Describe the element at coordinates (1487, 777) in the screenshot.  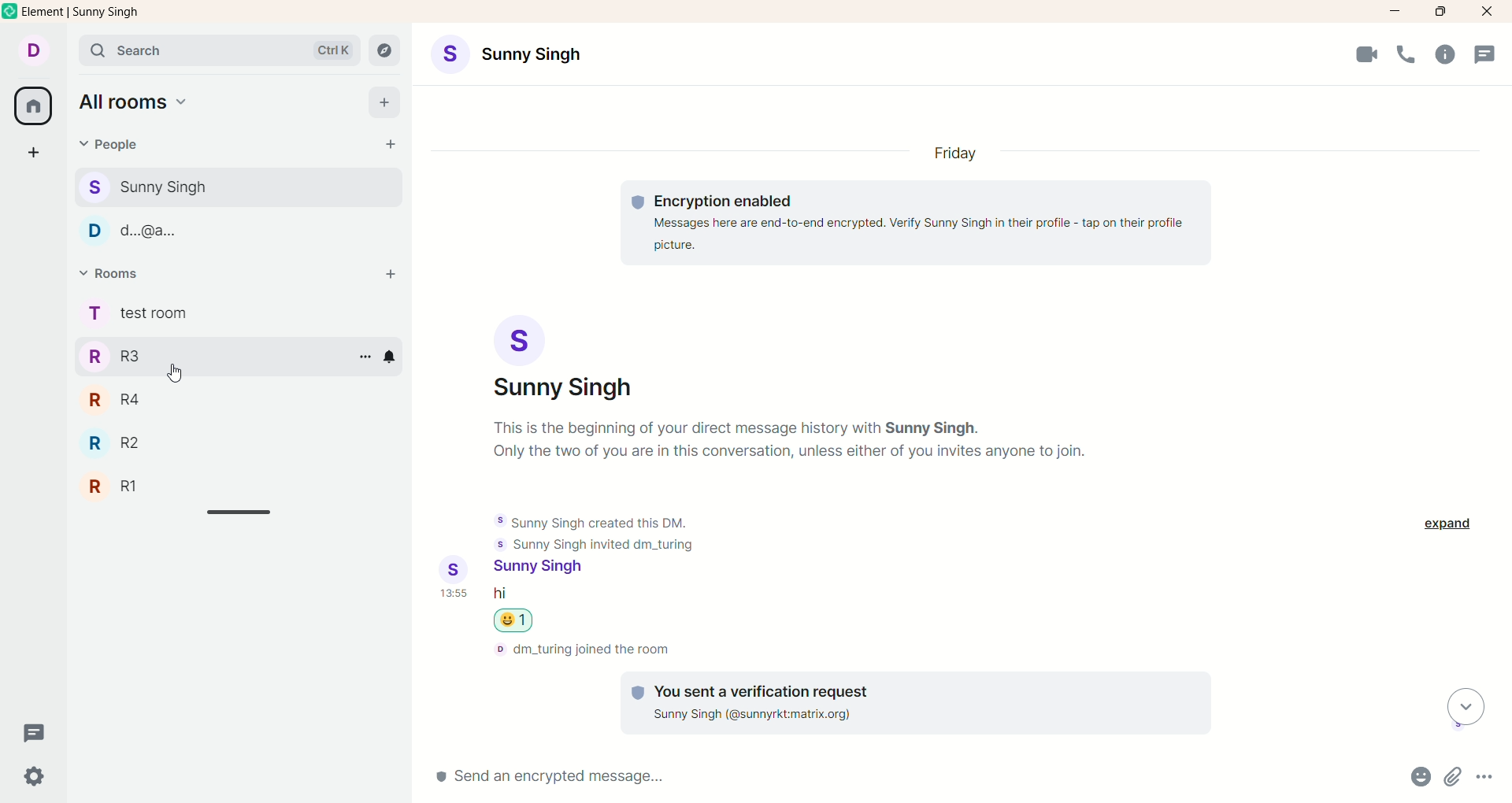
I see `options` at that location.